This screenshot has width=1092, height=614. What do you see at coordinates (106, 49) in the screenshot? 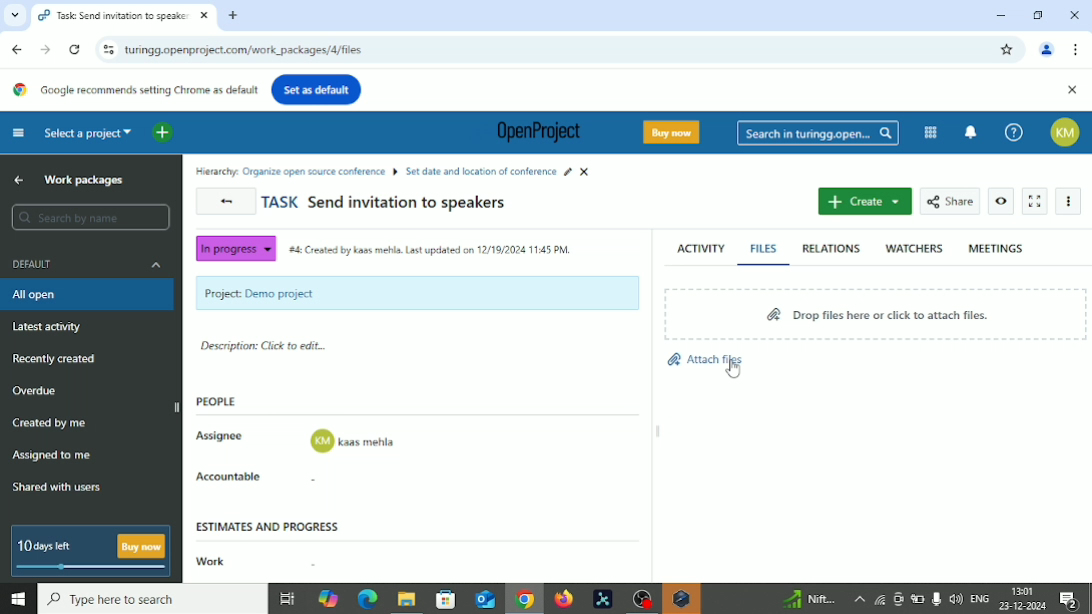
I see `View site information` at bounding box center [106, 49].